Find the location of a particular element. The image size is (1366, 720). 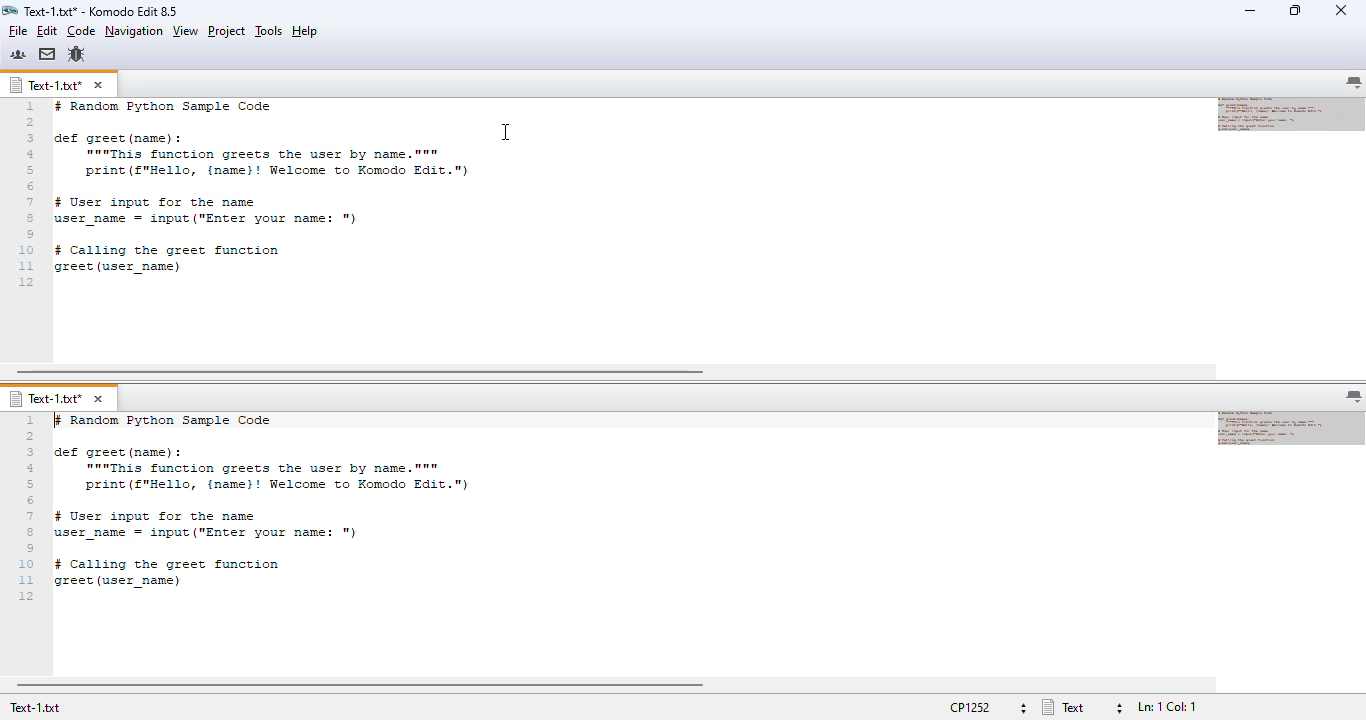

list all tabs is located at coordinates (1354, 83).